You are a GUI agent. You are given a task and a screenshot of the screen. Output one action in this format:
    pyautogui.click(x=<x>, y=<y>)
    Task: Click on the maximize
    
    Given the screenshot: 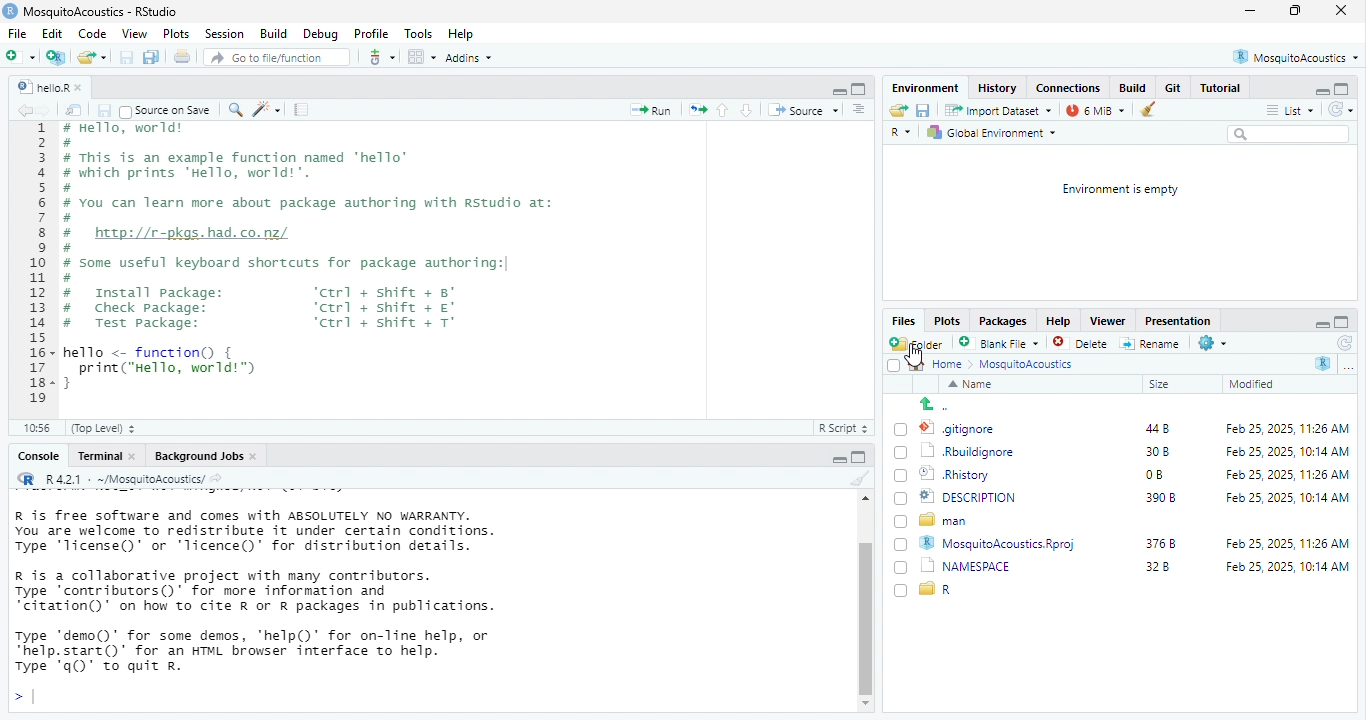 What is the action you would take?
    pyautogui.click(x=1296, y=11)
    